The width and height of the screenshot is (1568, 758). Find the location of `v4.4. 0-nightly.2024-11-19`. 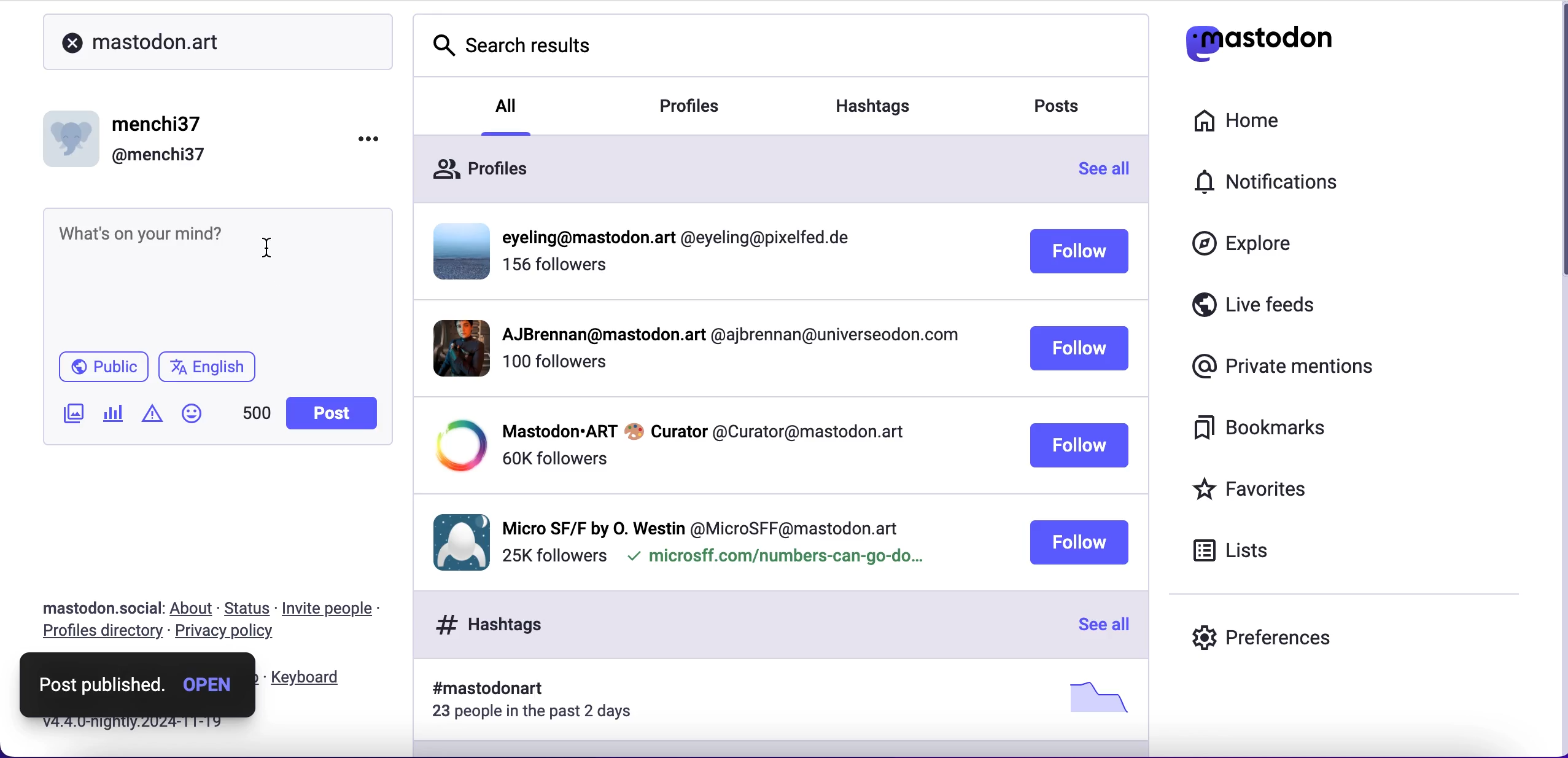

v4.4. 0-nightly.2024-11-19 is located at coordinates (123, 721).